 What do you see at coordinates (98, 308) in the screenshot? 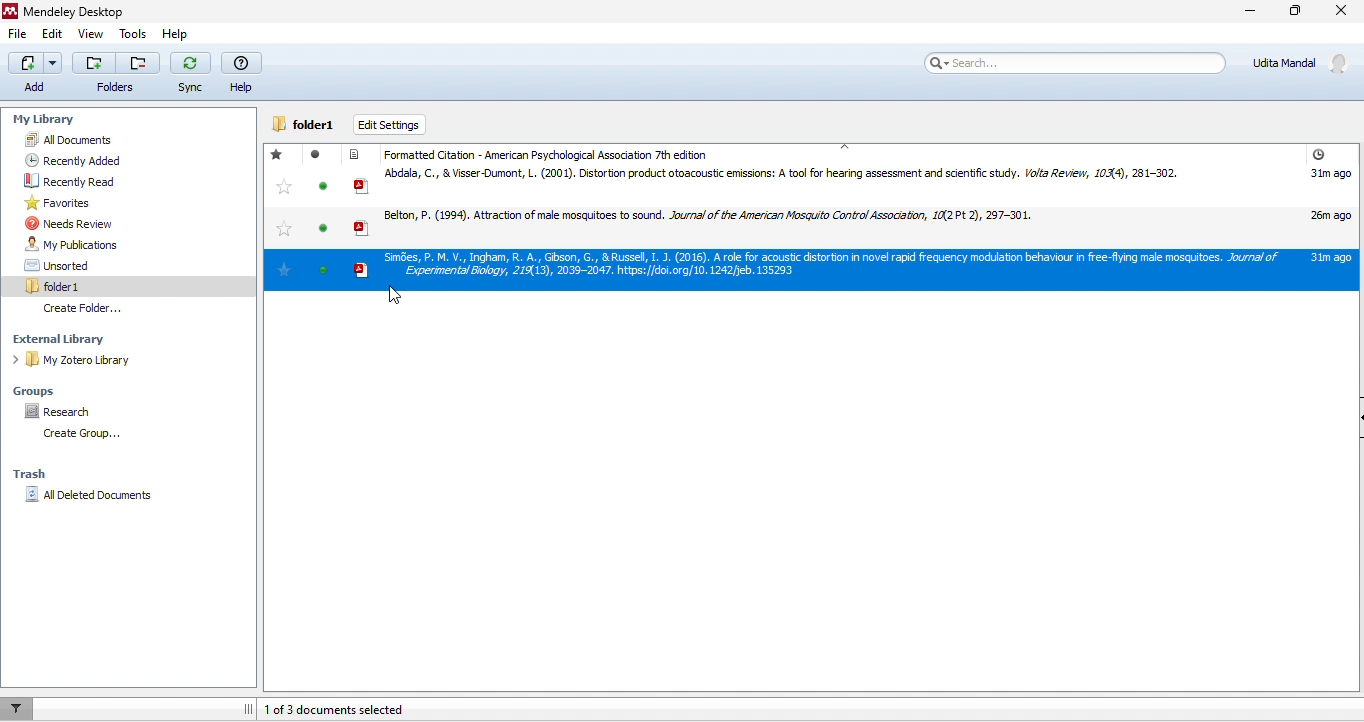
I see `create folder` at bounding box center [98, 308].